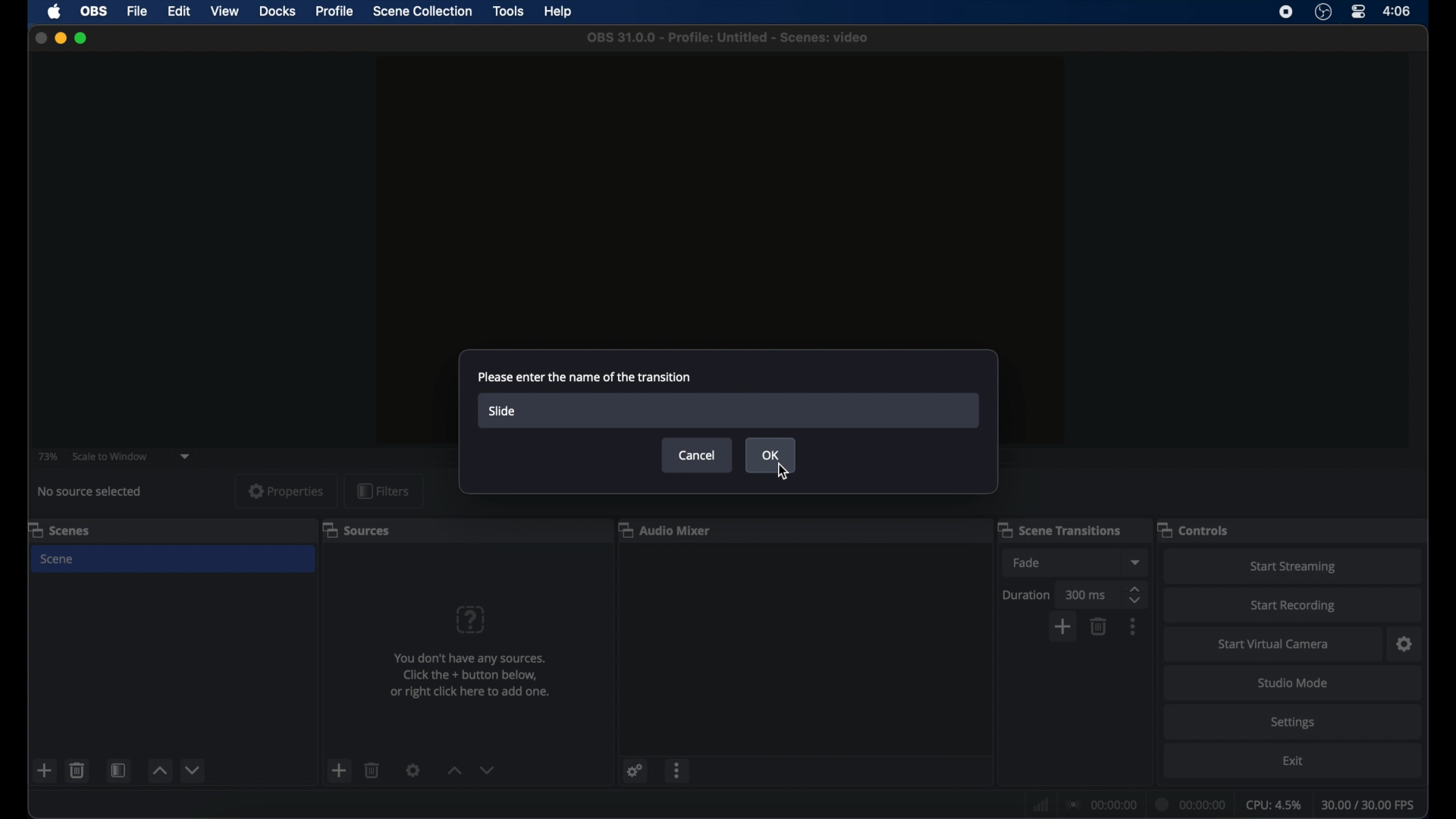 This screenshot has height=819, width=1456. Describe the element at coordinates (285, 491) in the screenshot. I see `properties` at that location.